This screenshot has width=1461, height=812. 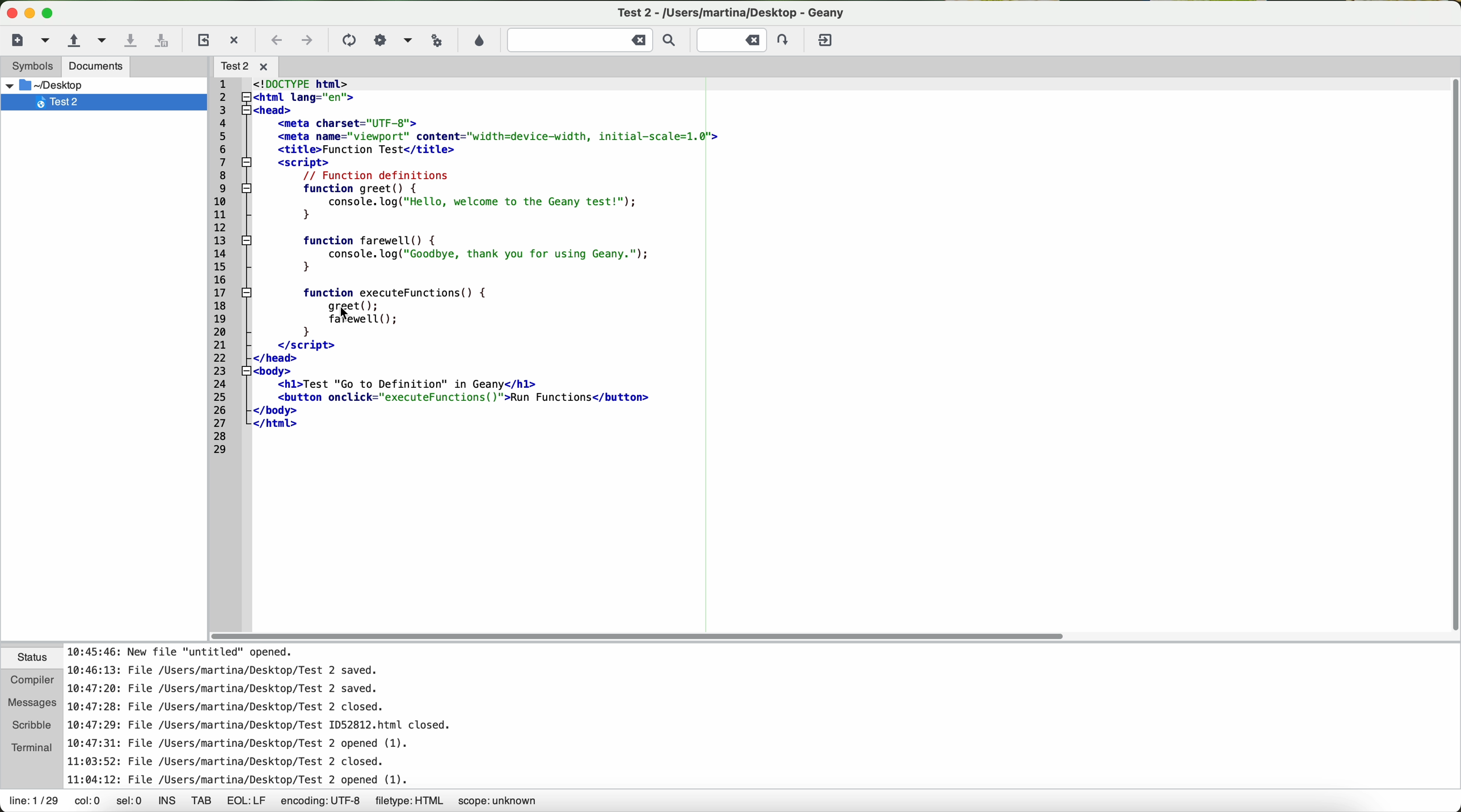 What do you see at coordinates (27, 66) in the screenshot?
I see `symbols` at bounding box center [27, 66].